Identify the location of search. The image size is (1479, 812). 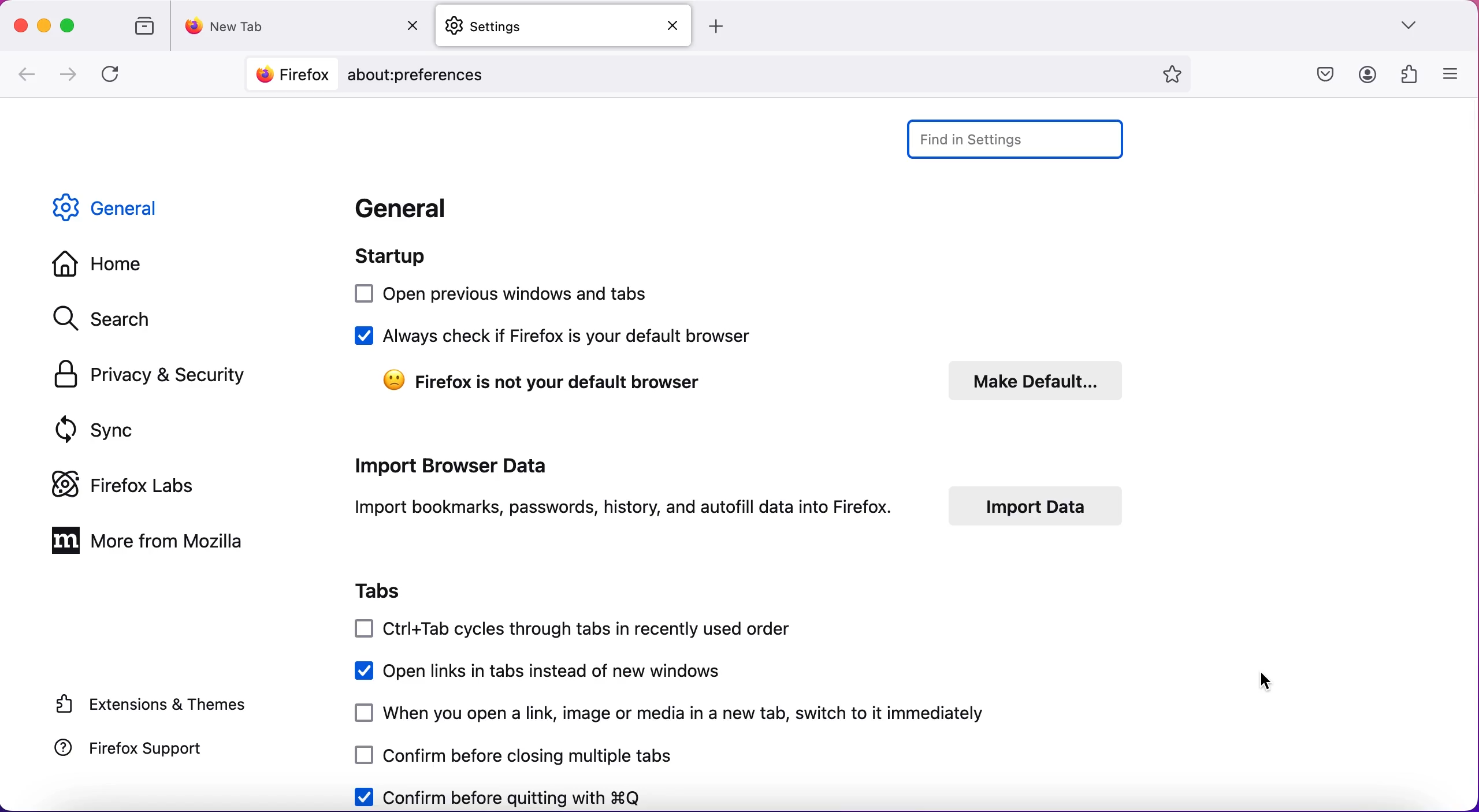
(106, 319).